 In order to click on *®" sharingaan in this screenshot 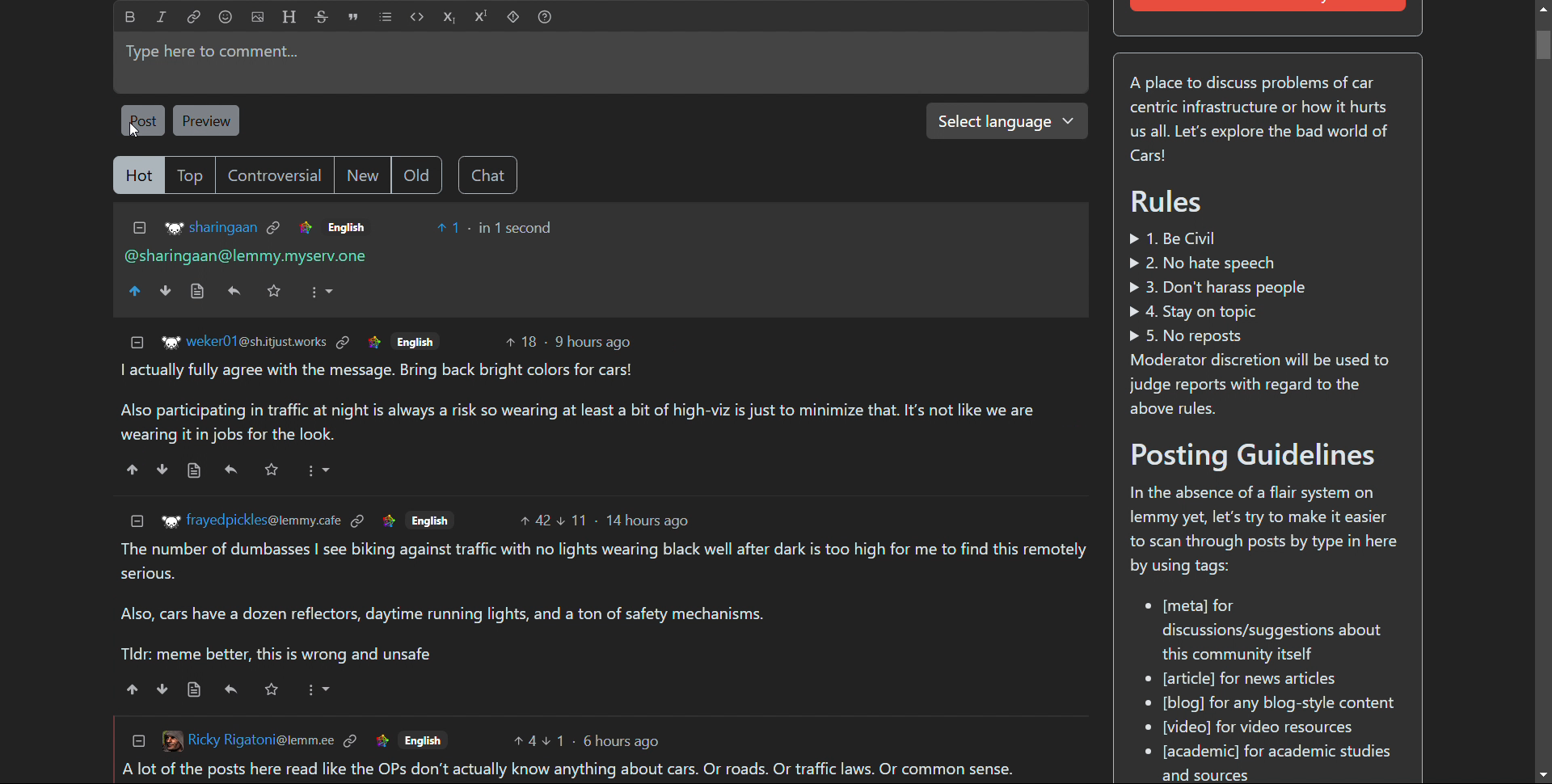, I will do `click(211, 228)`.